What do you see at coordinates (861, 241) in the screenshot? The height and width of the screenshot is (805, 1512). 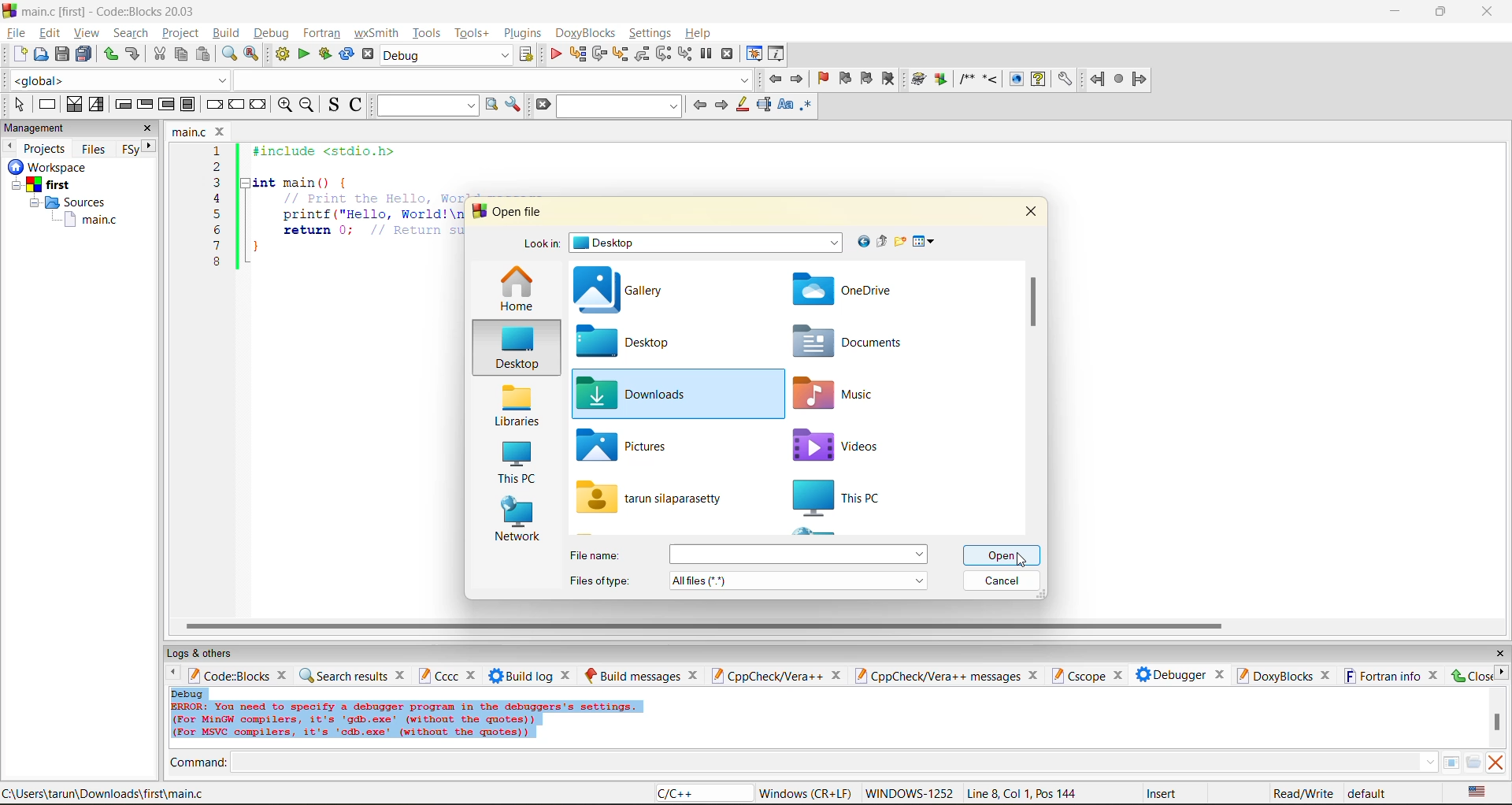 I see `go to last` at bounding box center [861, 241].